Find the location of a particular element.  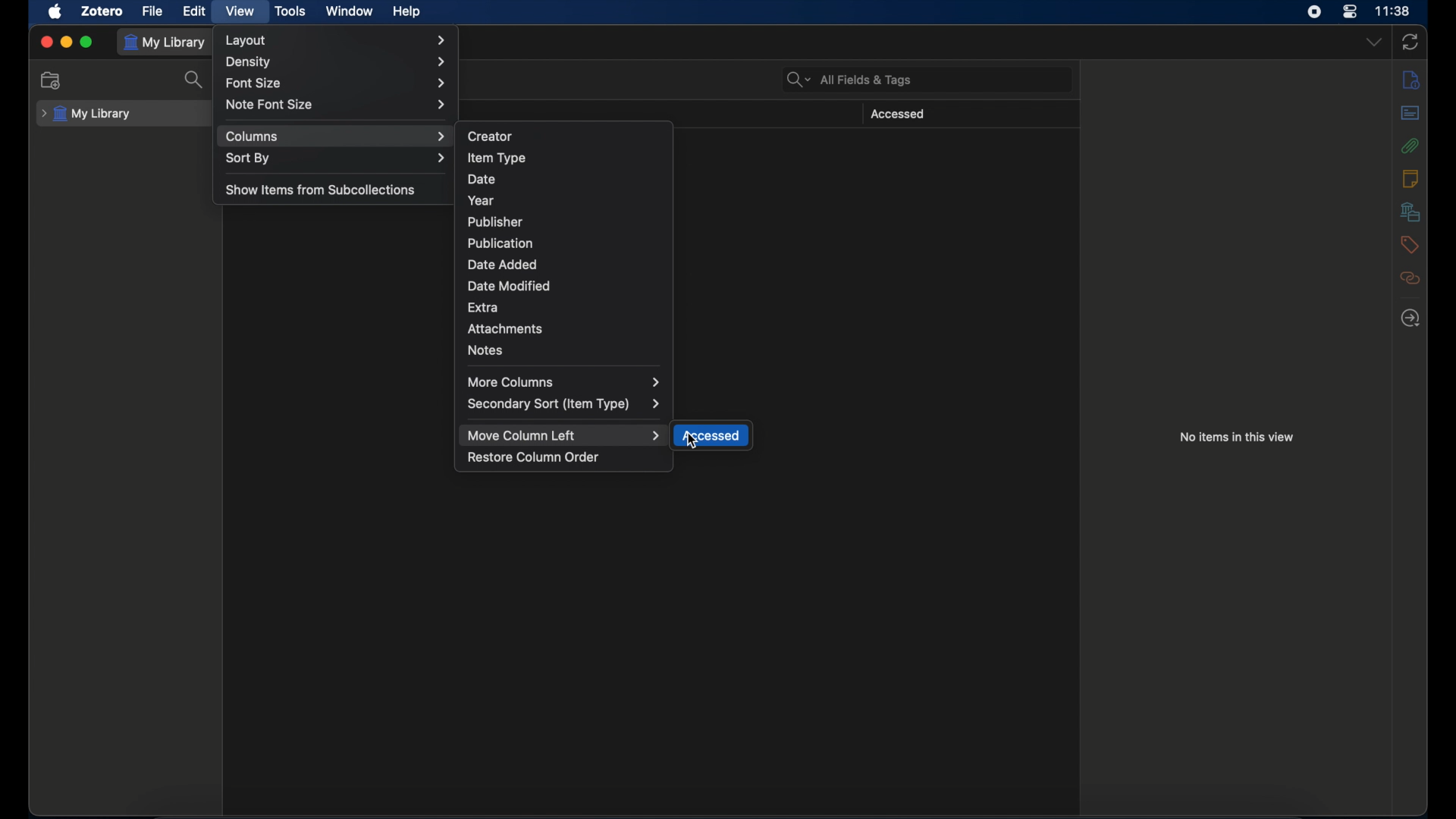

related is located at coordinates (1409, 278).